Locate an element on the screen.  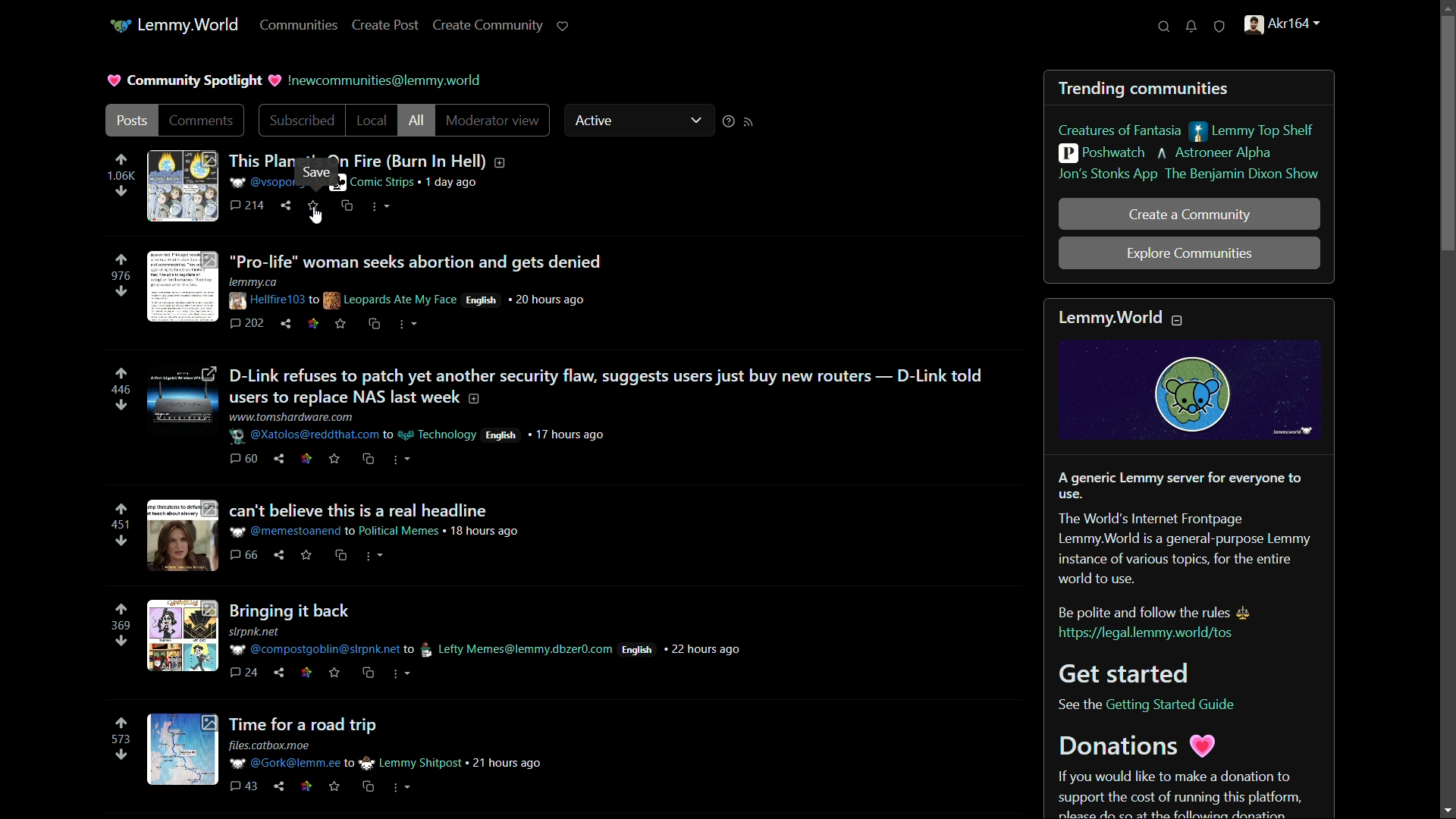
post-5 is located at coordinates (443, 640).